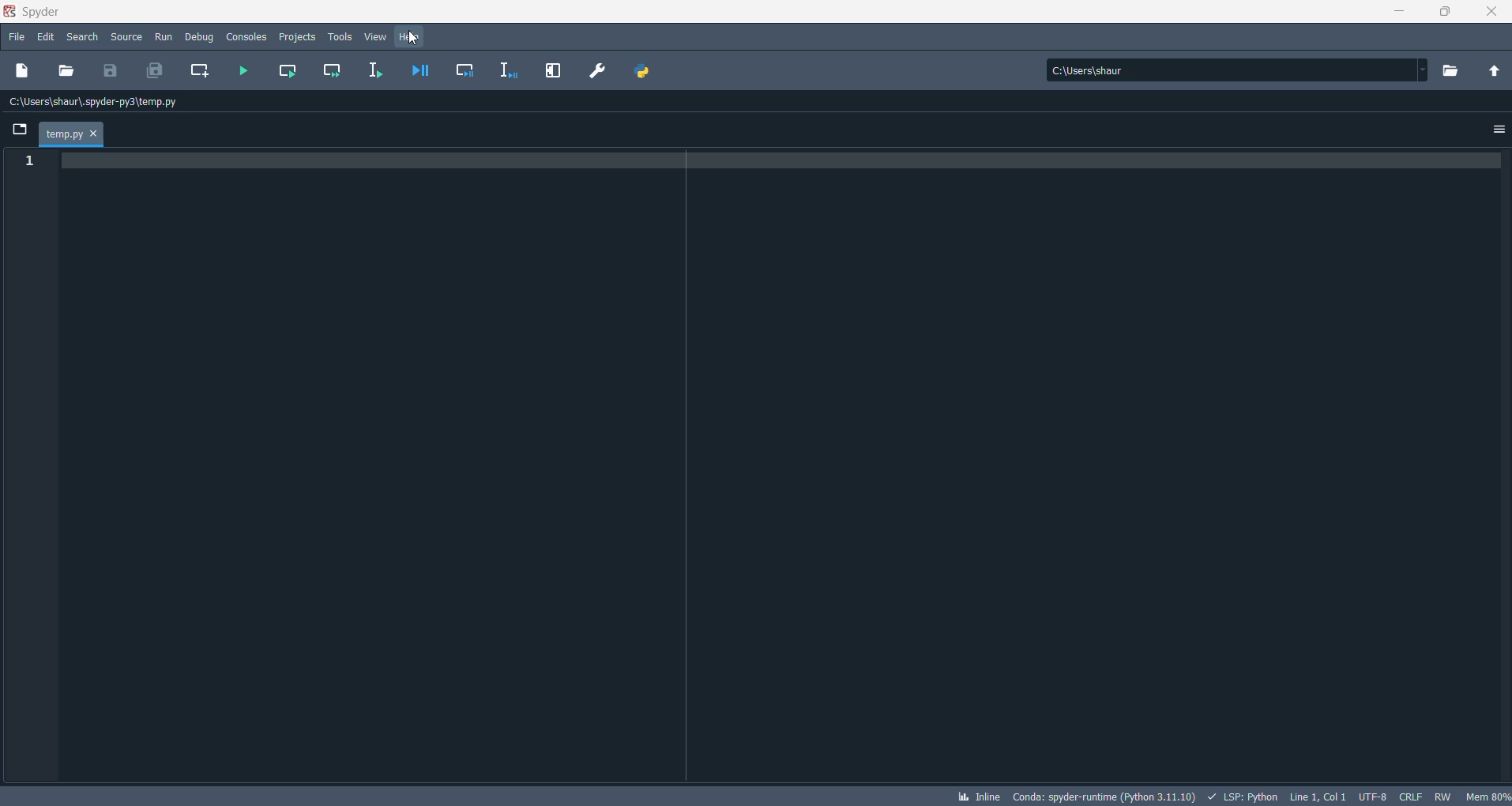 This screenshot has width=1512, height=806. Describe the element at coordinates (15, 40) in the screenshot. I see `file` at that location.